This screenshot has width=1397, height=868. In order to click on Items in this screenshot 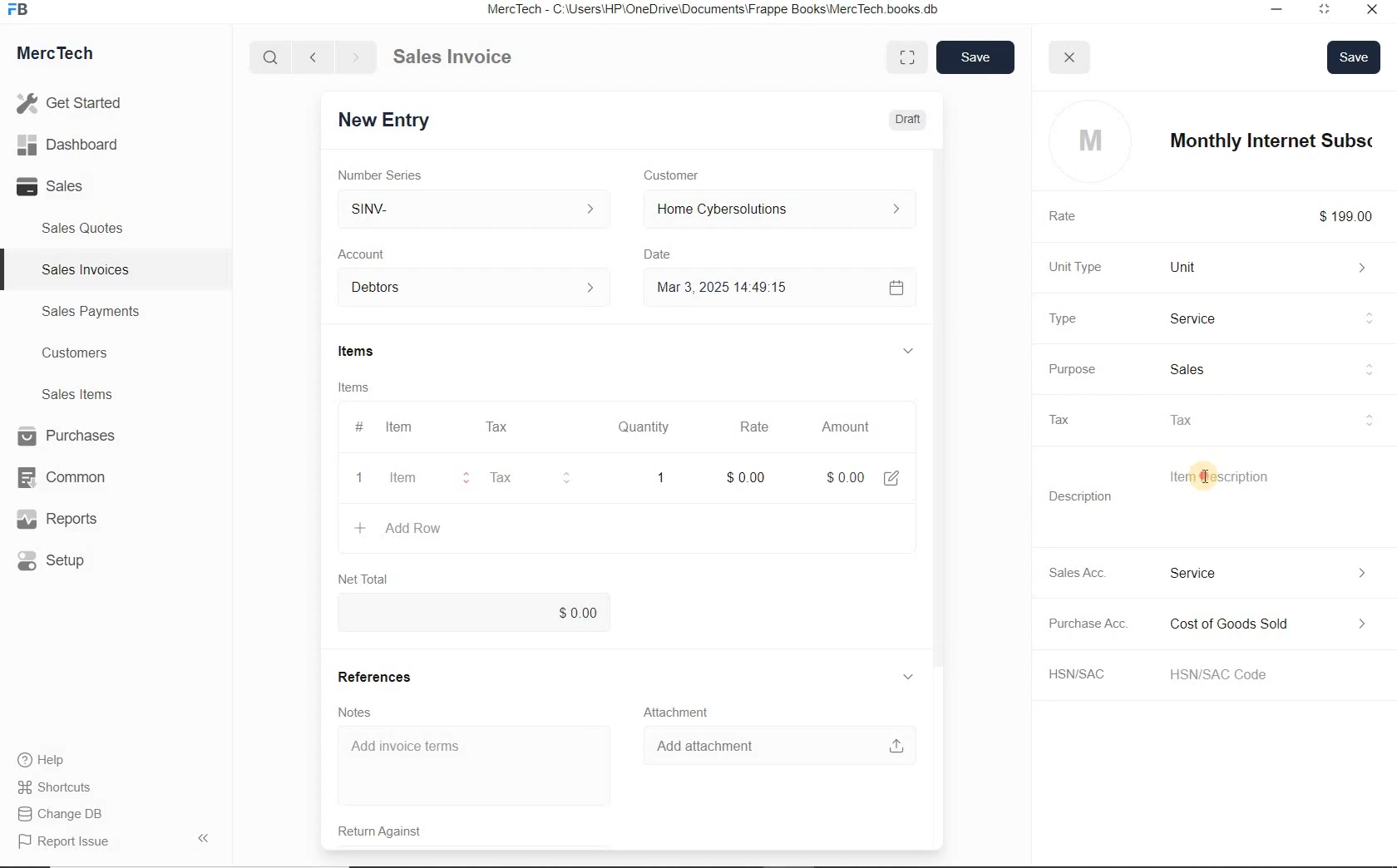, I will do `click(370, 353)`.